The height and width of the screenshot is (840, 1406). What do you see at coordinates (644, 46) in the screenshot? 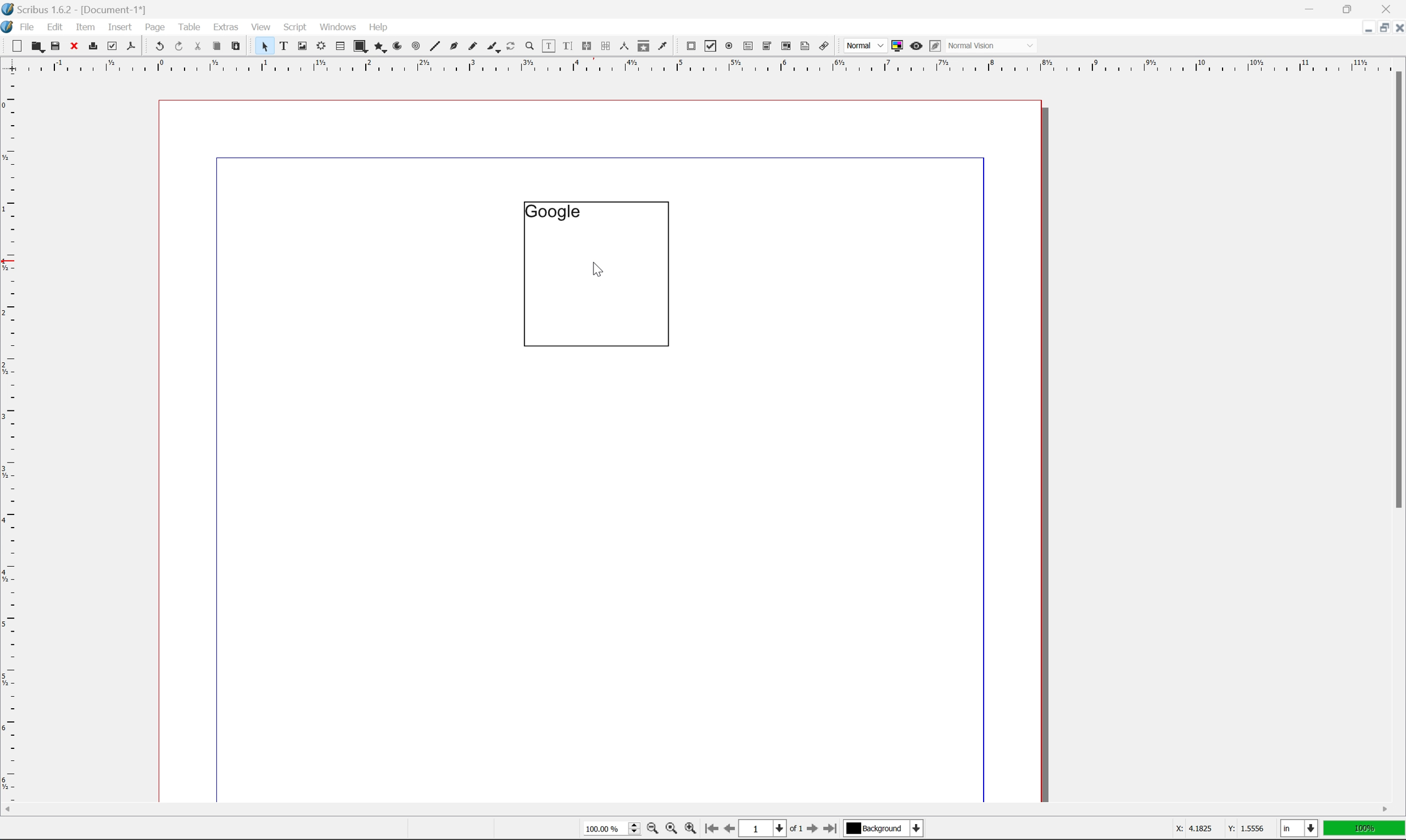
I see `copy item properties` at bounding box center [644, 46].